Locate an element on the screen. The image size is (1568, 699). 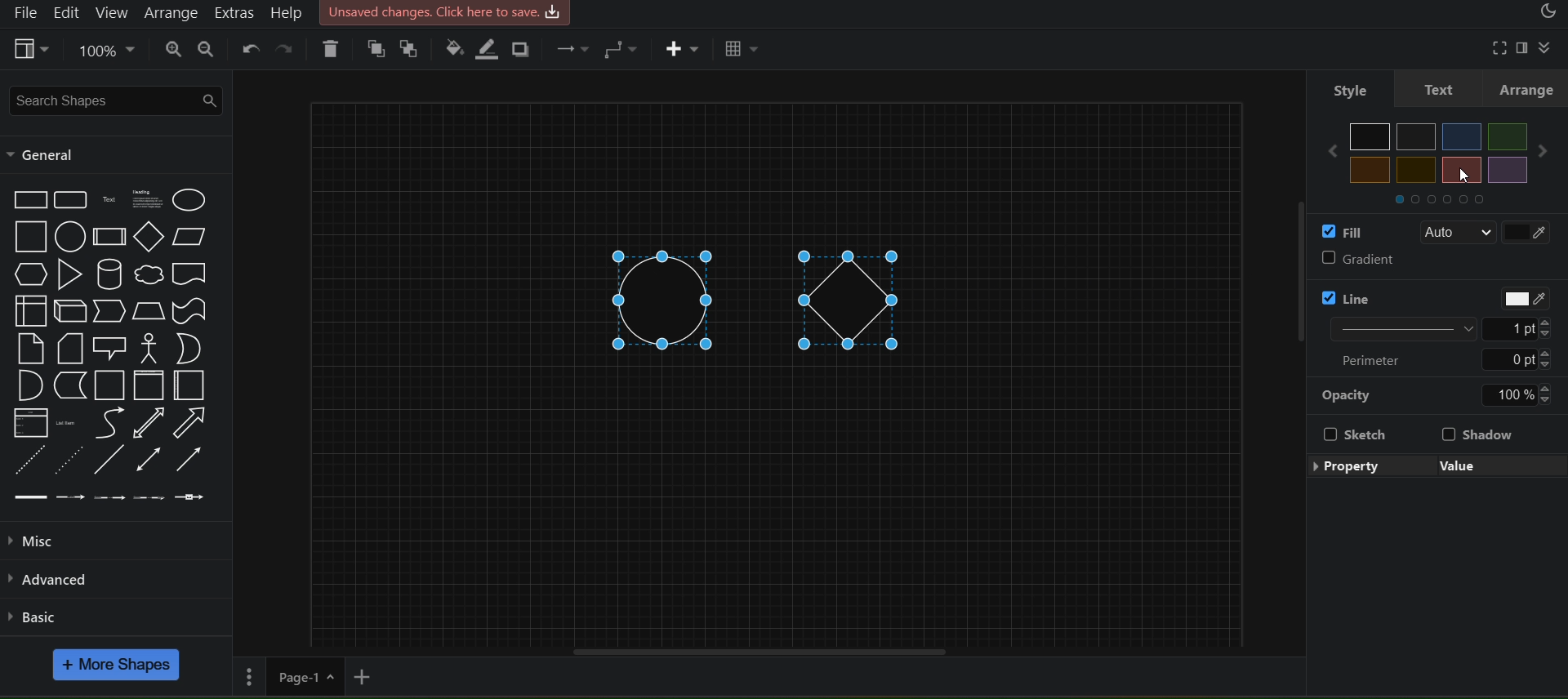
Dotted Line is located at coordinates (69, 459).